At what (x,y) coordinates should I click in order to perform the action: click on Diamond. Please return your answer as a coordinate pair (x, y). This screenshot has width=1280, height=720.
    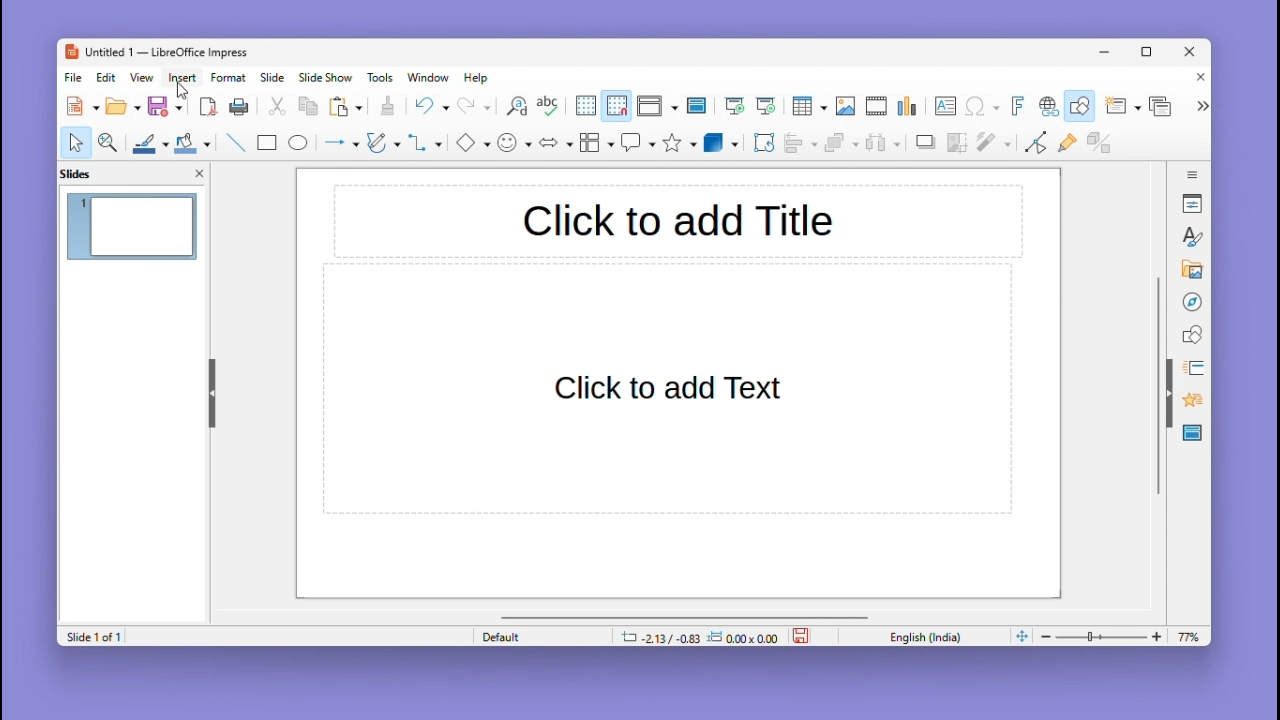
    Looking at the image, I should click on (472, 143).